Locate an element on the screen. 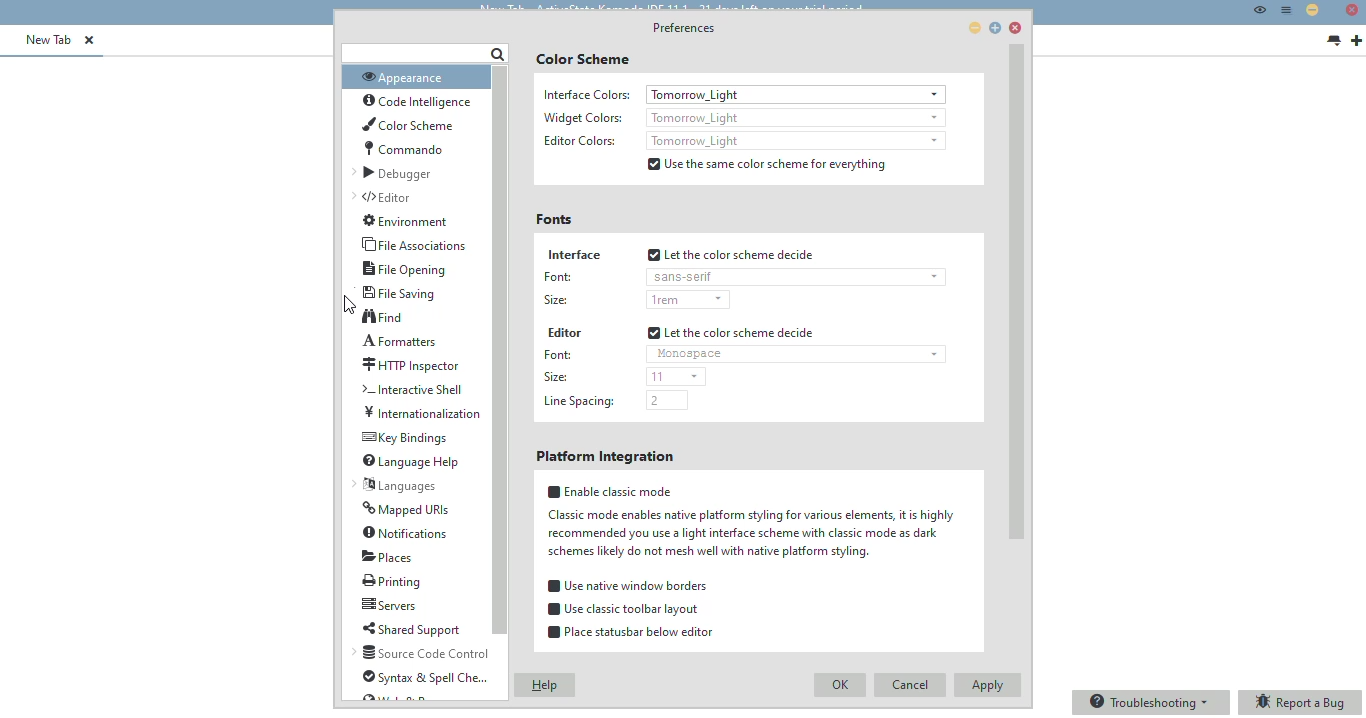  use classic toolbar layout is located at coordinates (624, 609).